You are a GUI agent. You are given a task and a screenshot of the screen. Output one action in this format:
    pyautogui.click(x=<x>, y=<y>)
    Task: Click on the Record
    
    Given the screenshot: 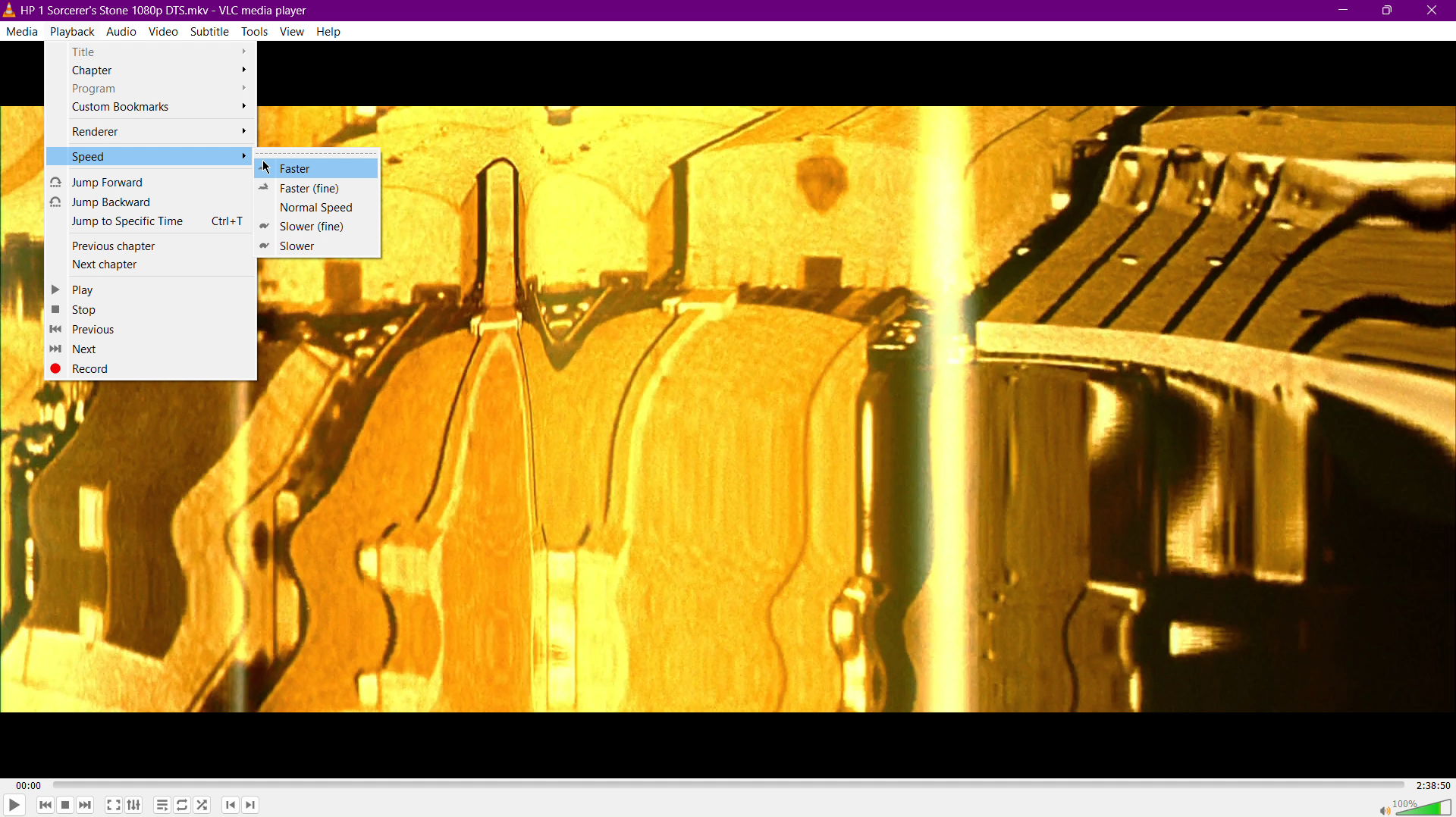 What is the action you would take?
    pyautogui.click(x=91, y=368)
    